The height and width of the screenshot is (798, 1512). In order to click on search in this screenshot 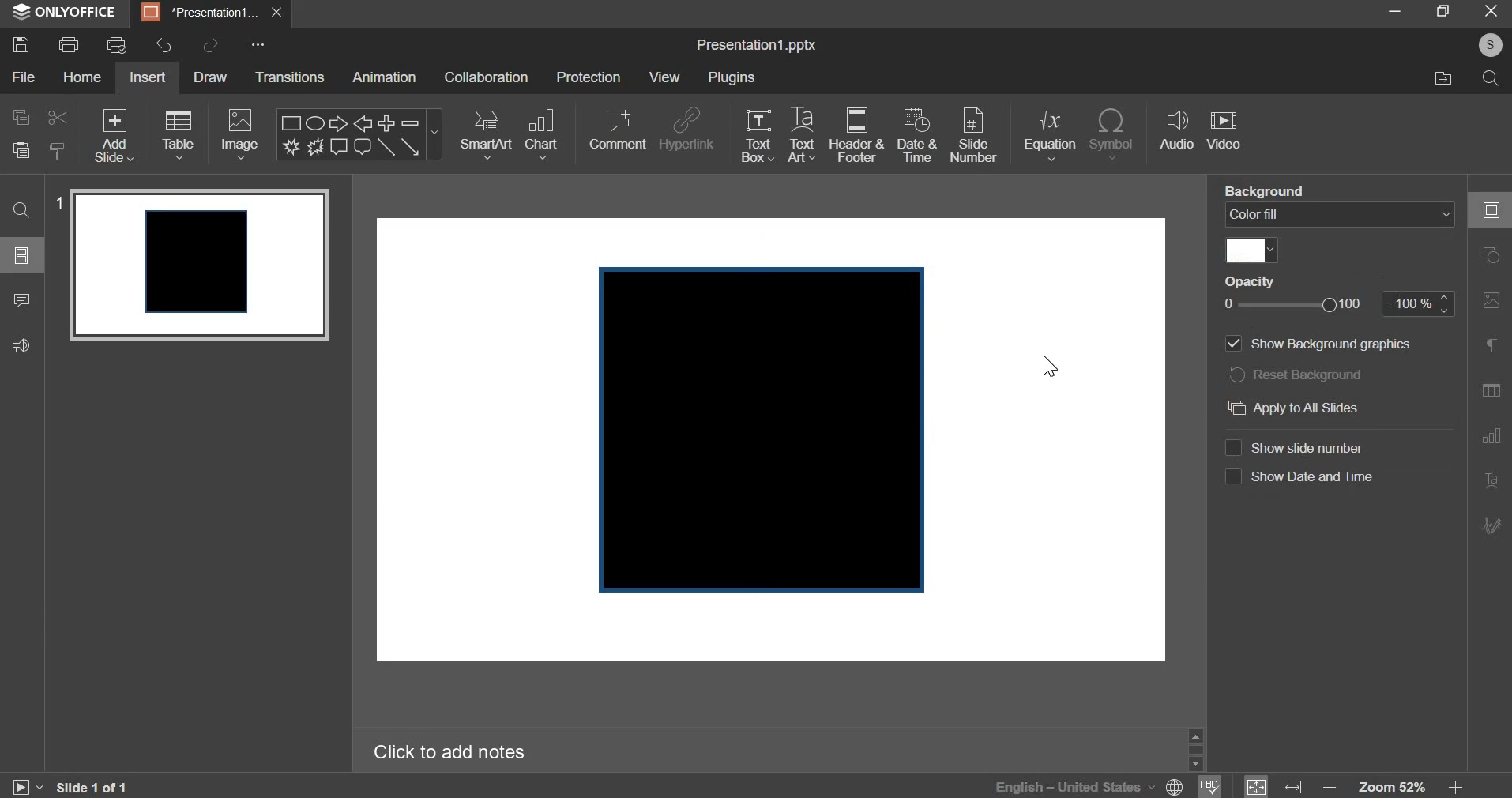, I will do `click(1493, 81)`.